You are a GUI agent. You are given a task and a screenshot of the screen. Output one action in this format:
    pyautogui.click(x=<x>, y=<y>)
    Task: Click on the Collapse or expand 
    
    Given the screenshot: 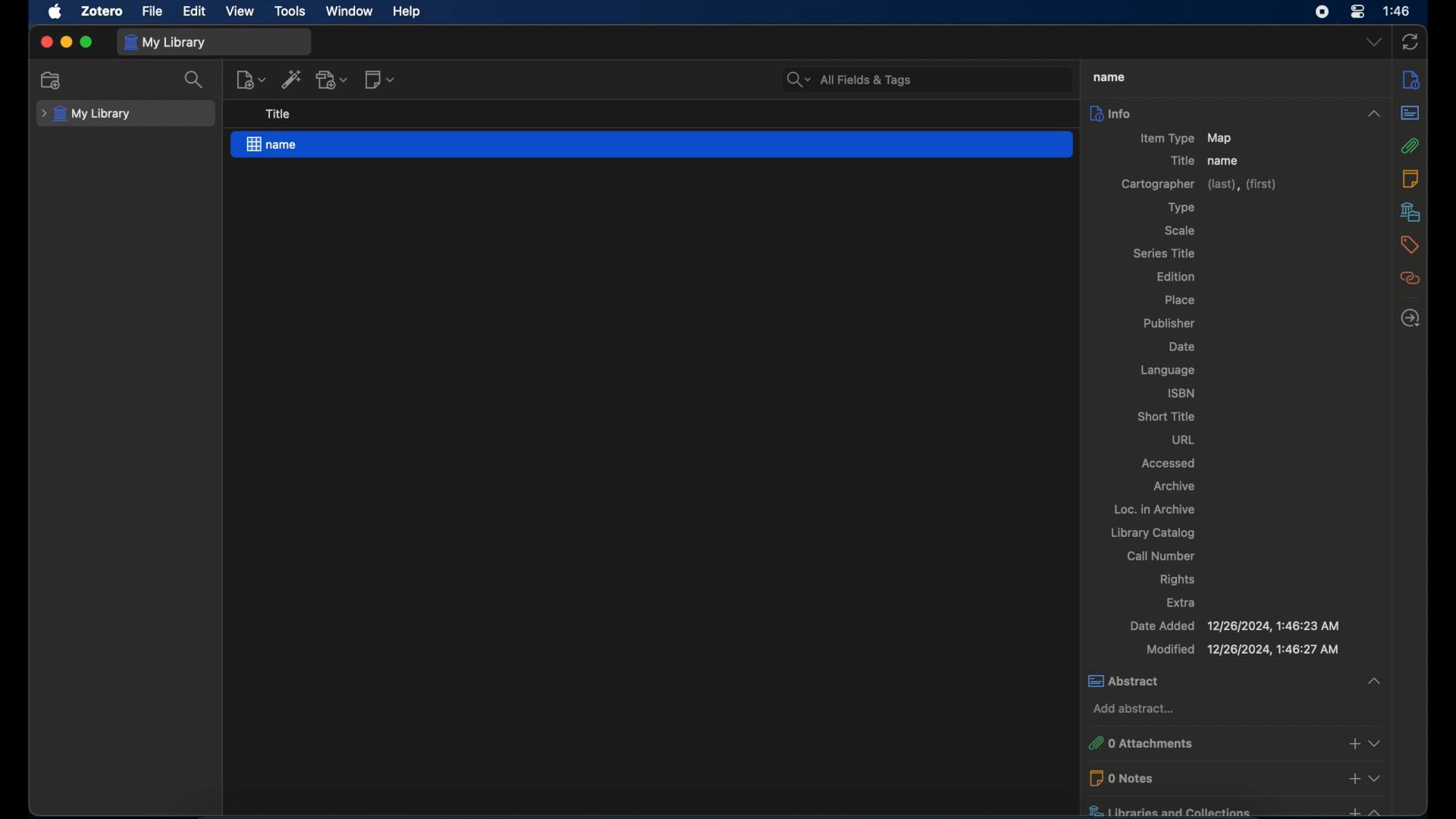 What is the action you would take?
    pyautogui.click(x=1377, y=743)
    